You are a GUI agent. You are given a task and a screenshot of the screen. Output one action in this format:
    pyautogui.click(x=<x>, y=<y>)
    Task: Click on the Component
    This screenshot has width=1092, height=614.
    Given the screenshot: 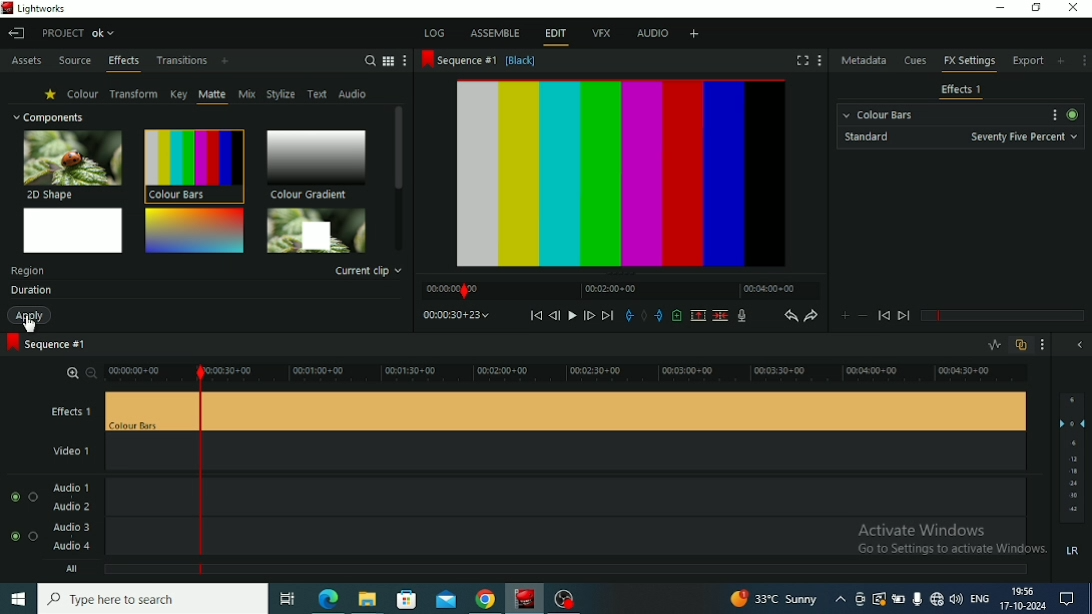 What is the action you would take?
    pyautogui.click(x=48, y=117)
    